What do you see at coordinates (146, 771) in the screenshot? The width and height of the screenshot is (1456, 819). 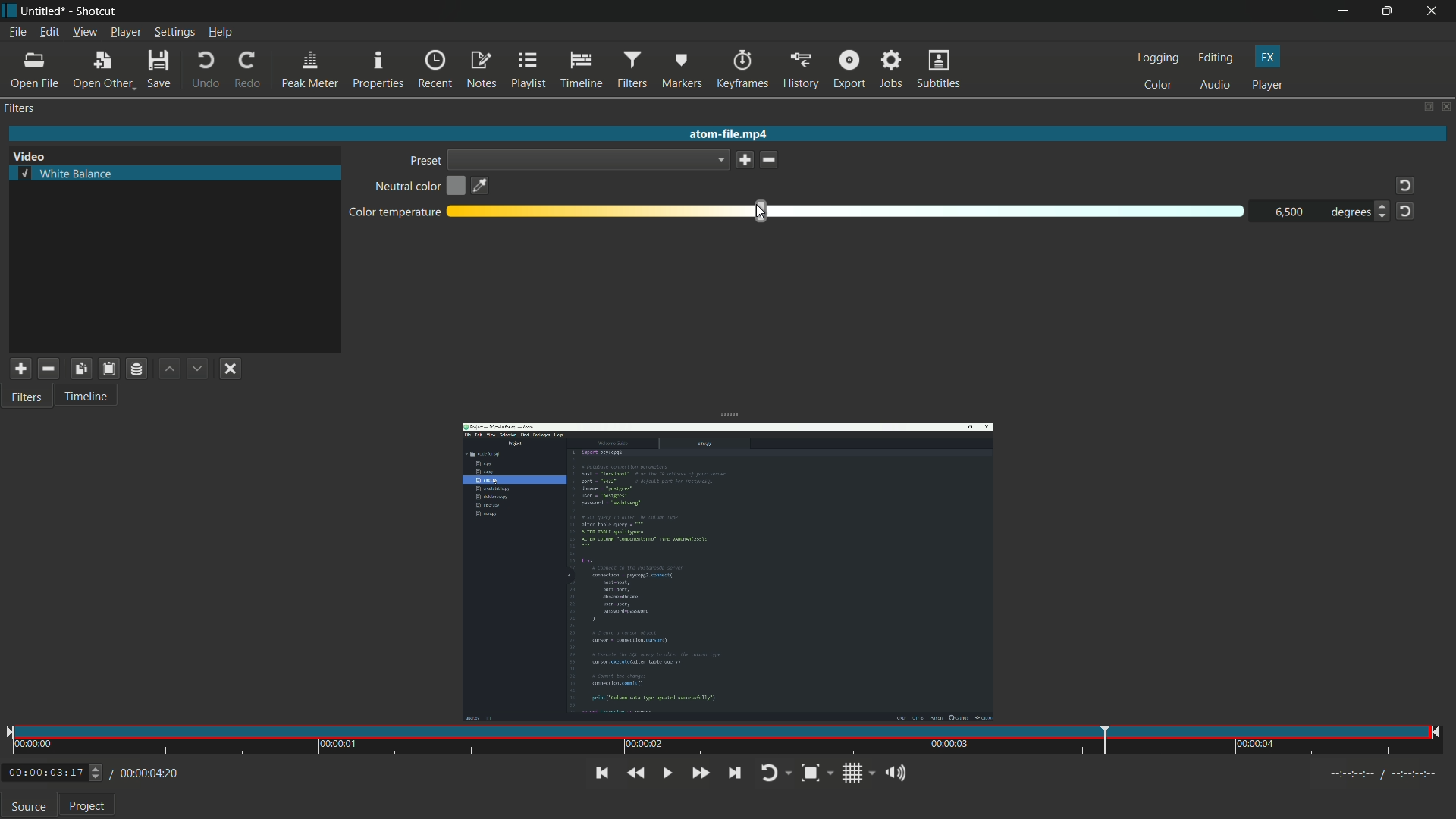 I see ` / 00:00:04:20 (total time)` at bounding box center [146, 771].